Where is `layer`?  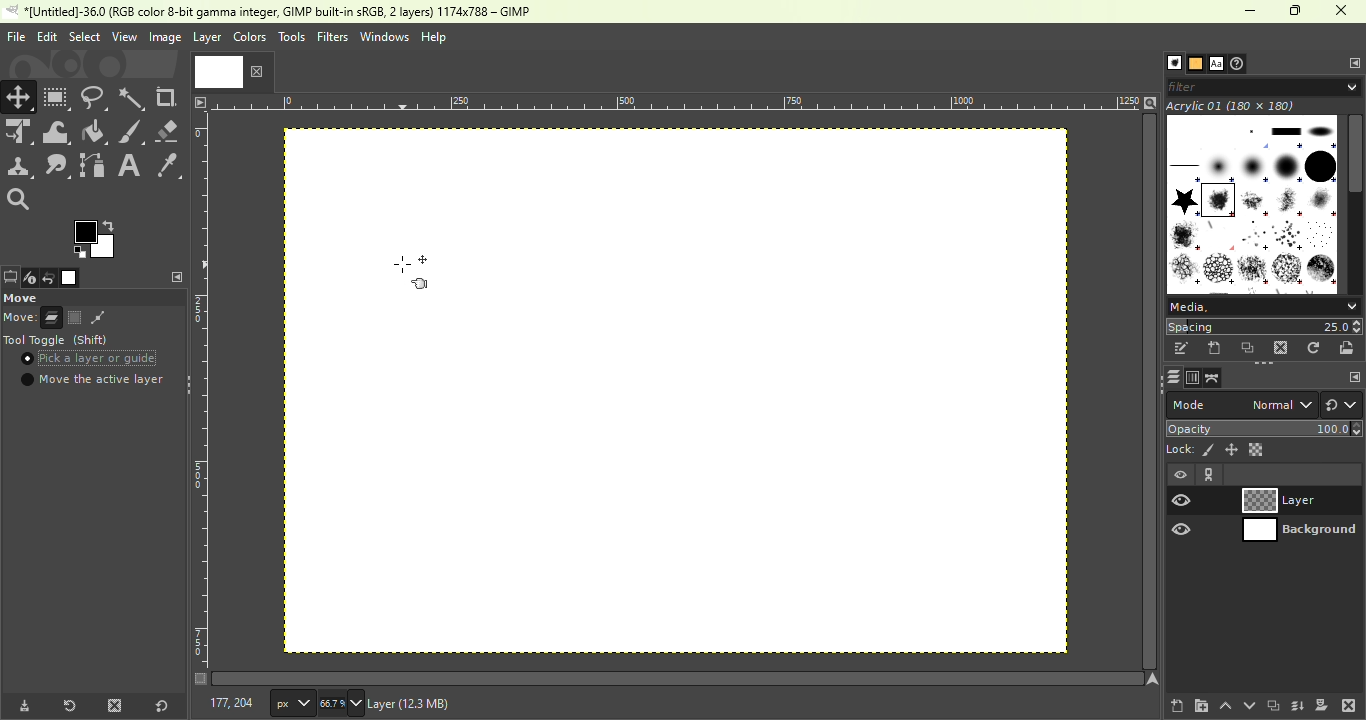
layer is located at coordinates (451, 706).